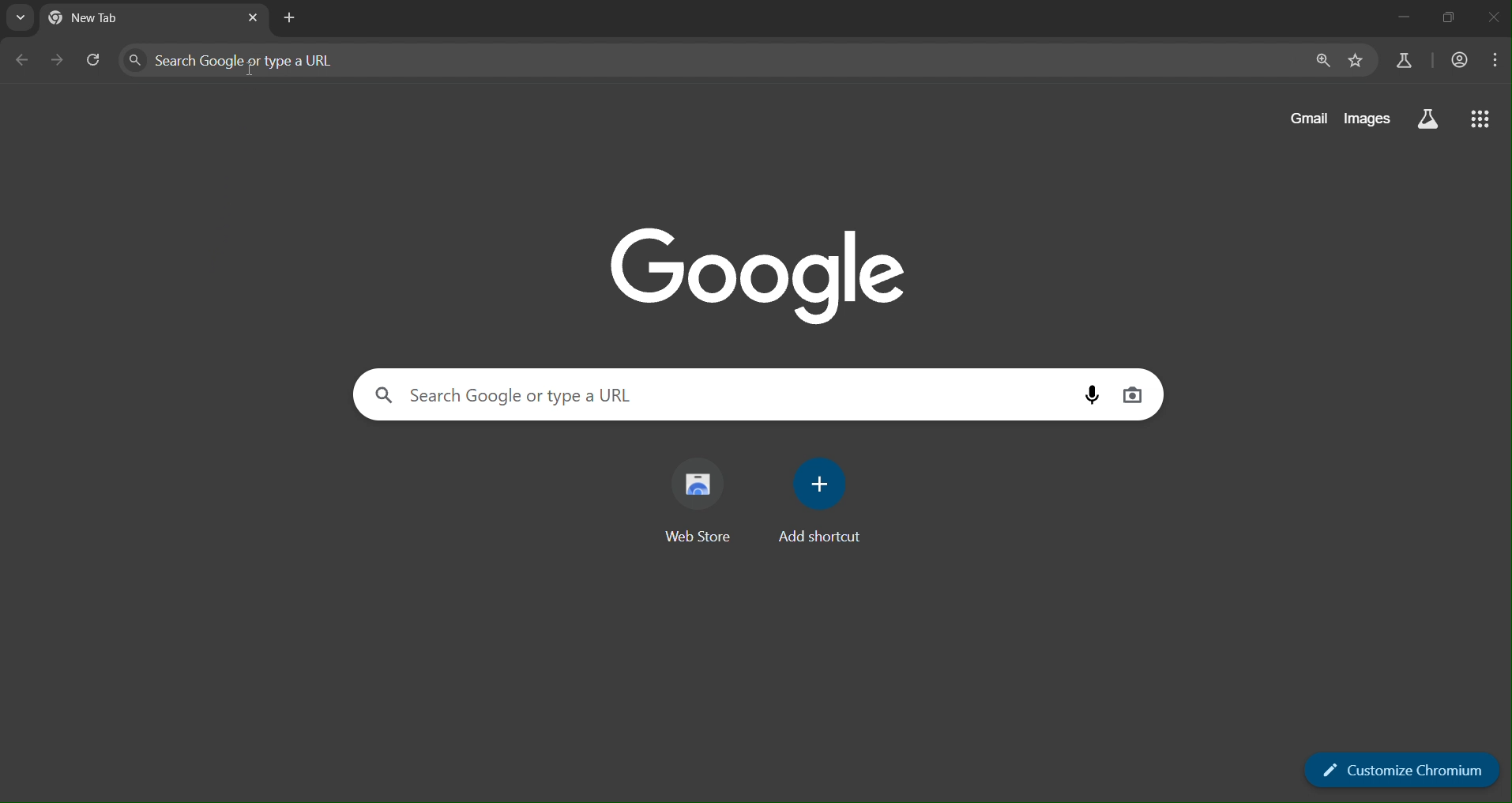  I want to click on new tab, so click(292, 17).